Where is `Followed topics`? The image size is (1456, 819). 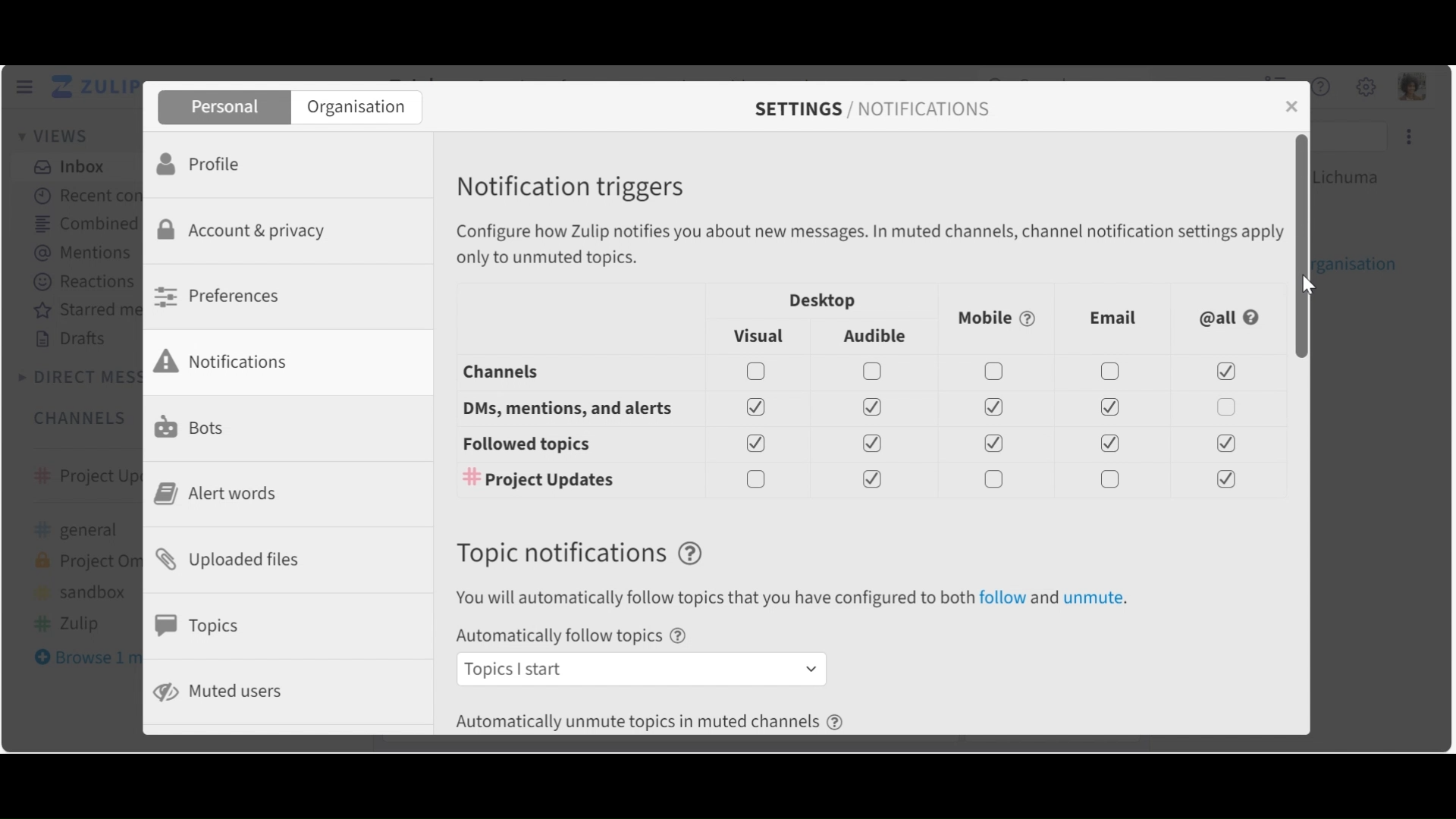 Followed topics is located at coordinates (857, 445).